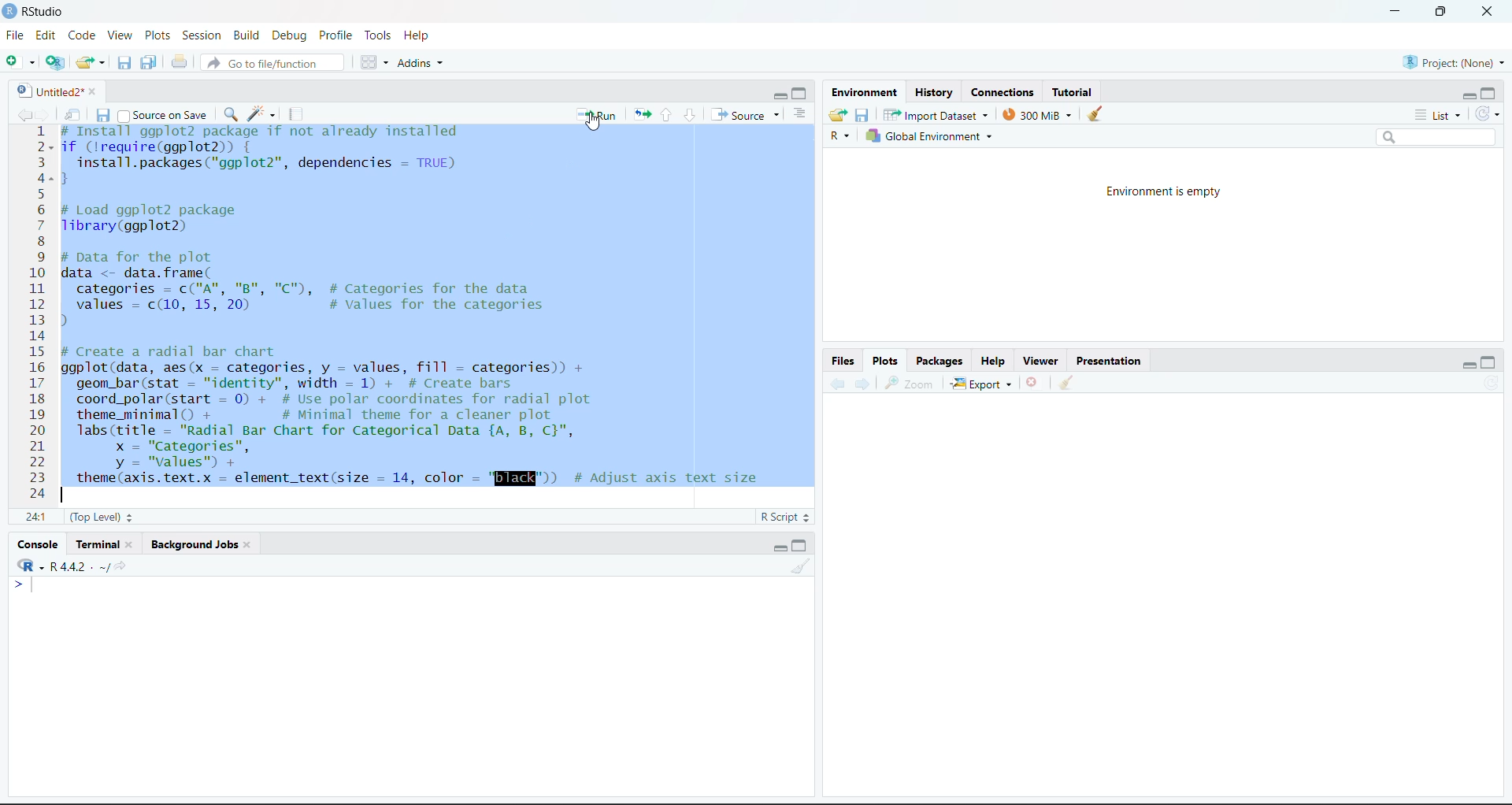 This screenshot has height=805, width=1512. What do you see at coordinates (291, 116) in the screenshot?
I see `compile report` at bounding box center [291, 116].